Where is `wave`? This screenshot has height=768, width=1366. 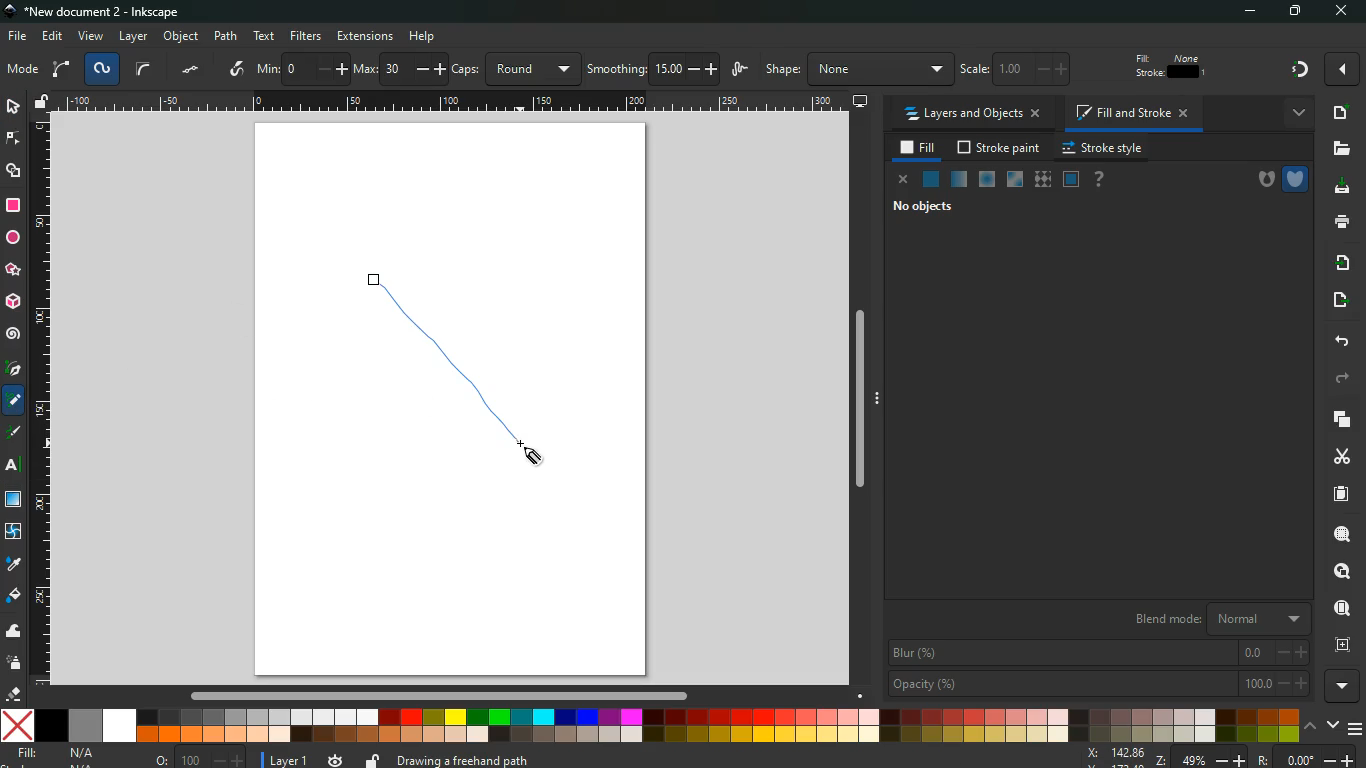
wave is located at coordinates (15, 633).